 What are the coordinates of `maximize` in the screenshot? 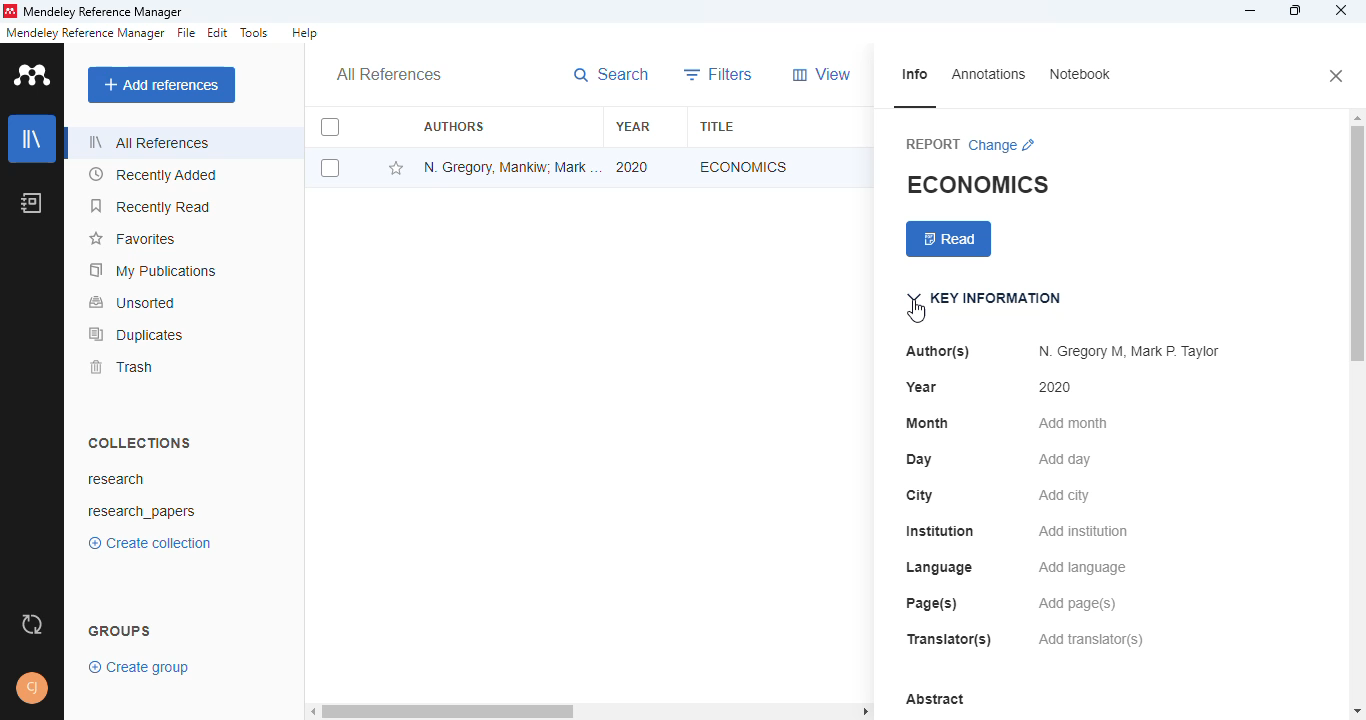 It's located at (1295, 10).